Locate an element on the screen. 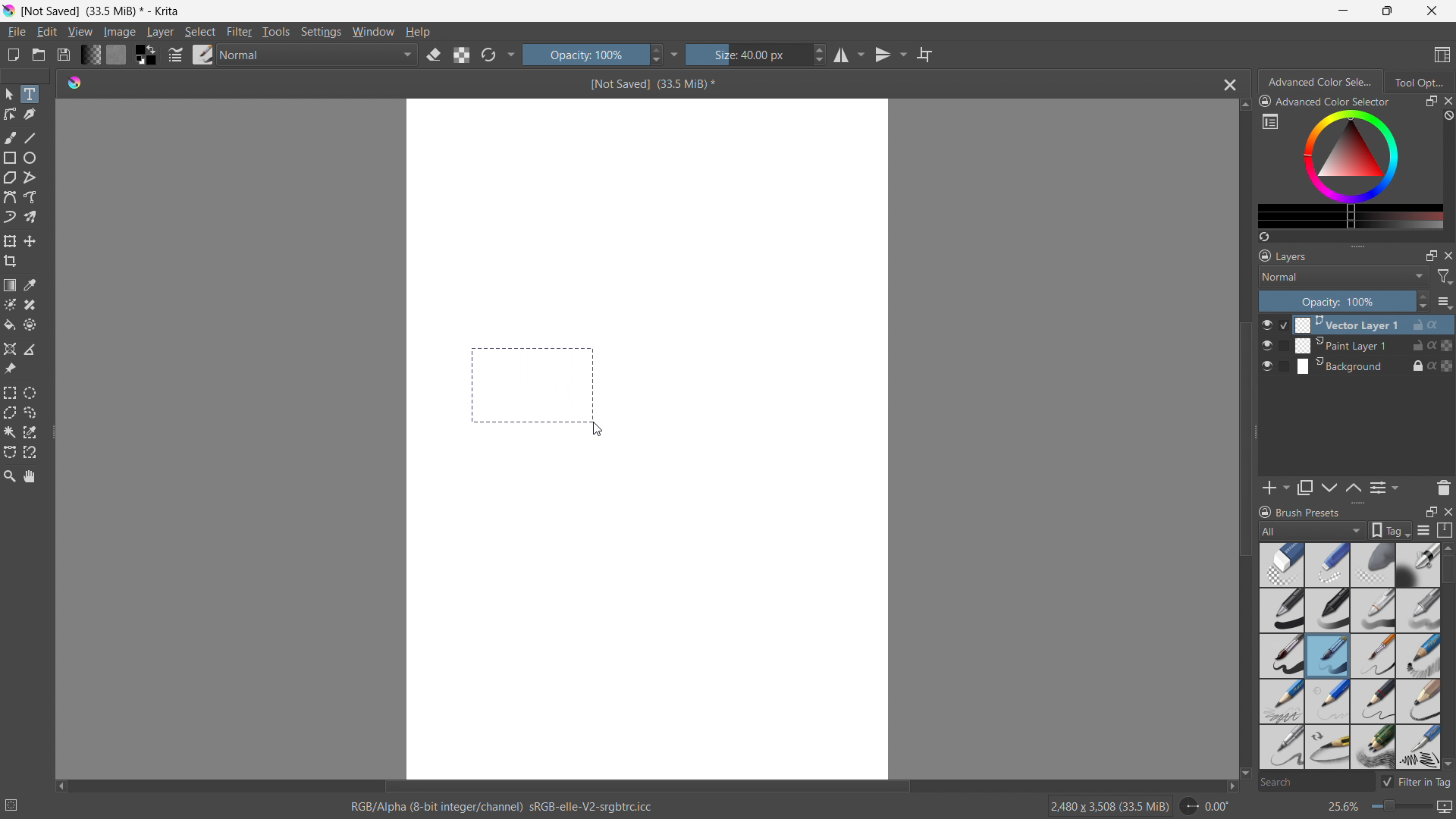  clear all color history is located at coordinates (1447, 116).